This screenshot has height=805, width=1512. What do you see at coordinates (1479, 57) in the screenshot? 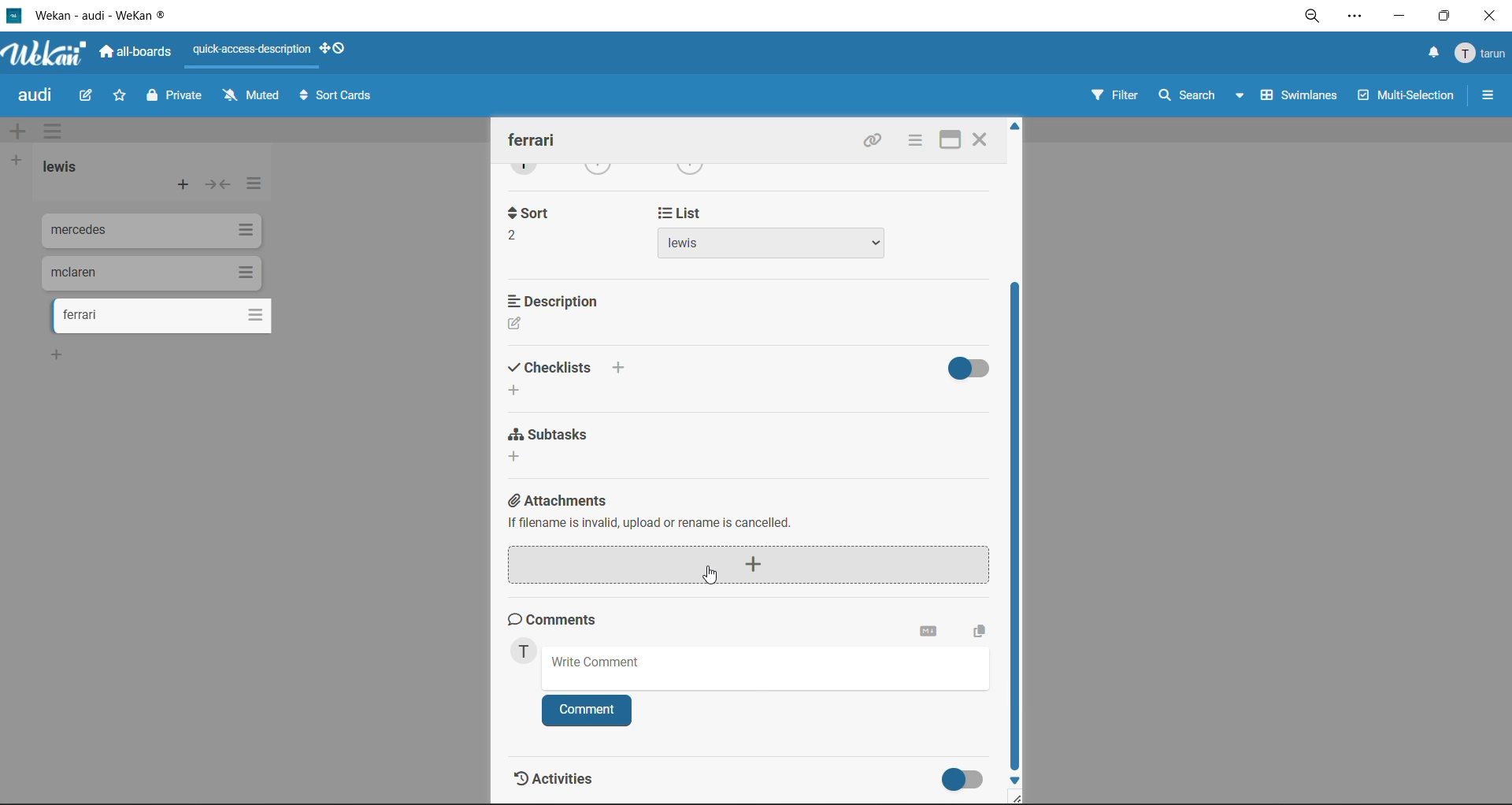
I see `menu` at bounding box center [1479, 57].